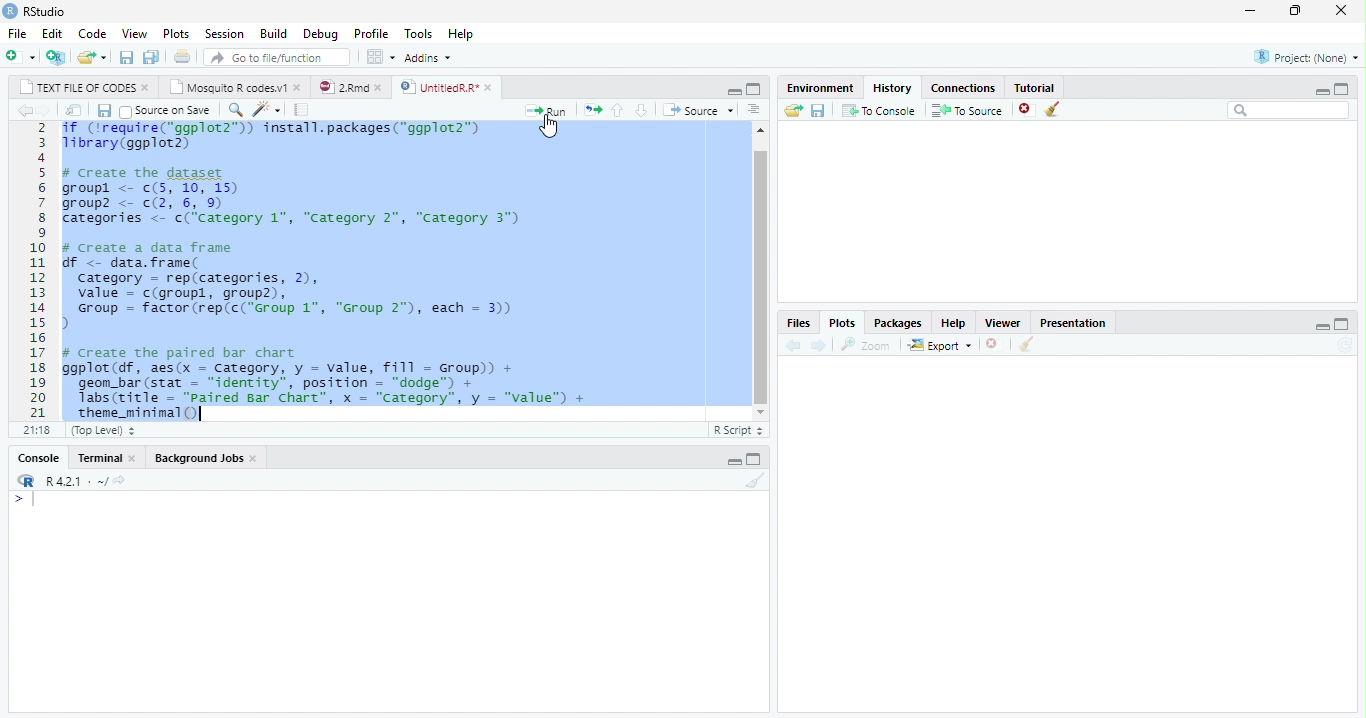  What do you see at coordinates (230, 87) in the screenshot?
I see `mosquito R codes.v1` at bounding box center [230, 87].